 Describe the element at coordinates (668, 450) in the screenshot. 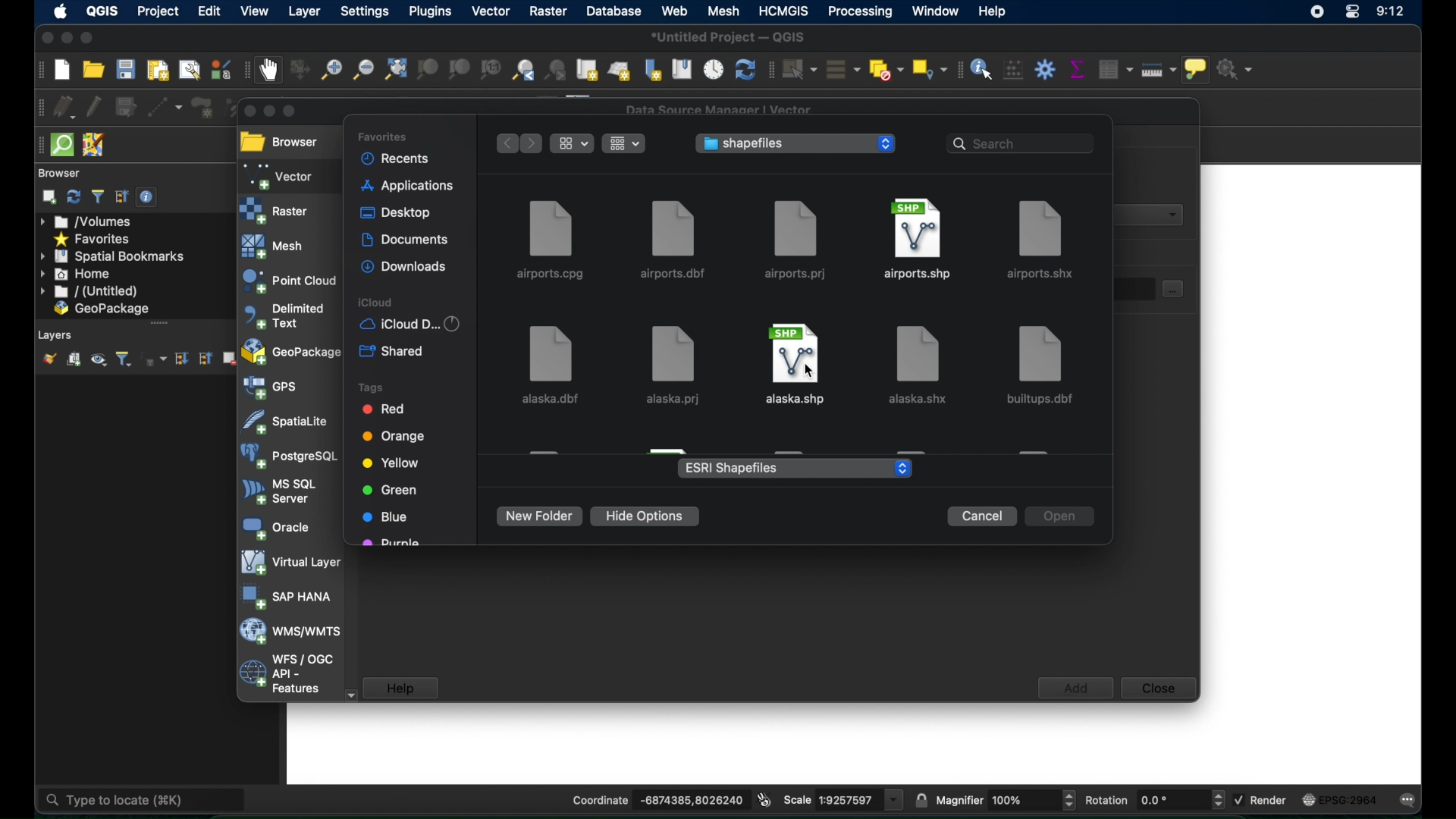

I see `obscured file` at that location.